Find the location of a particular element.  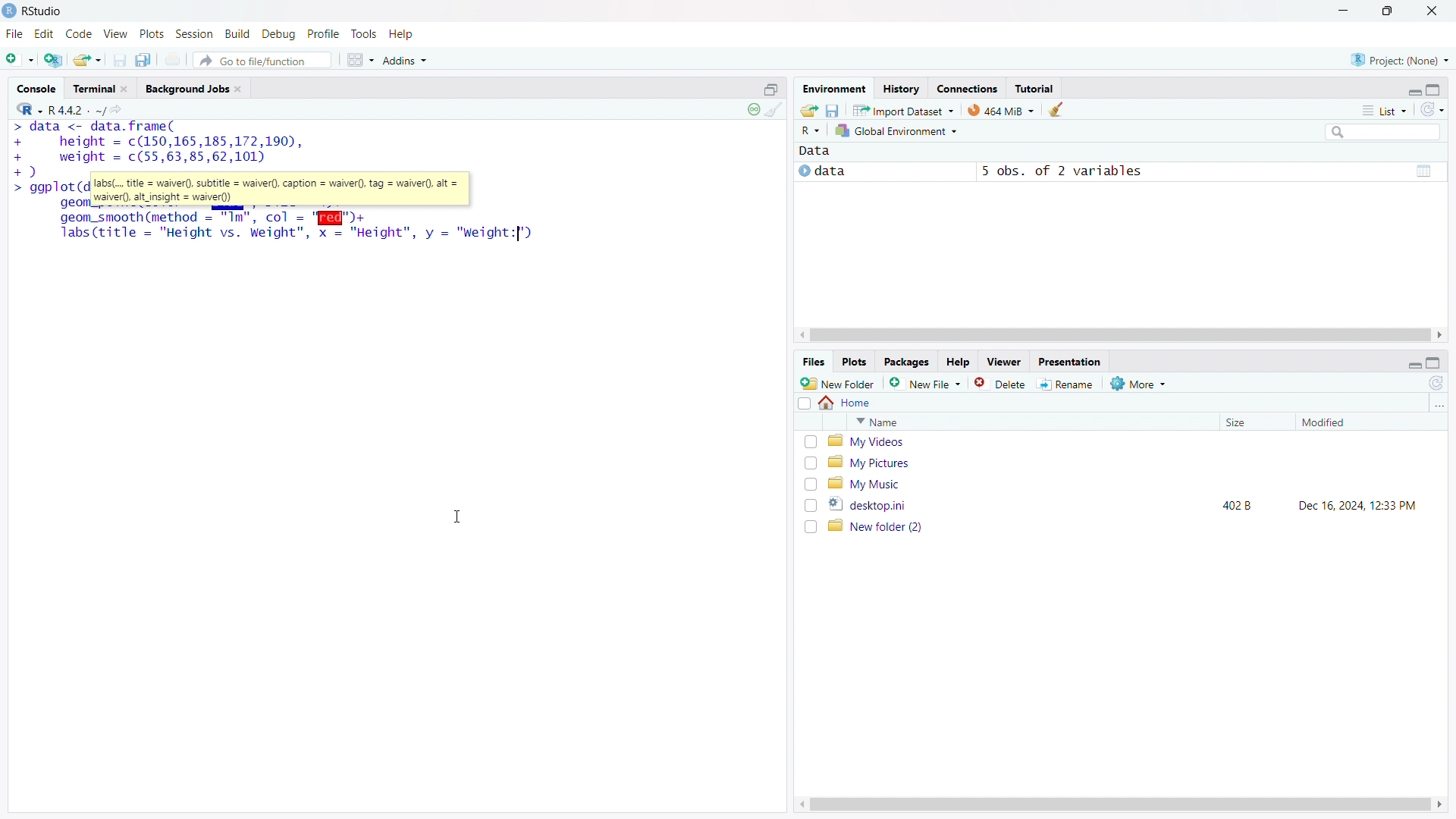

new folder (2) is located at coordinates (1131, 526).